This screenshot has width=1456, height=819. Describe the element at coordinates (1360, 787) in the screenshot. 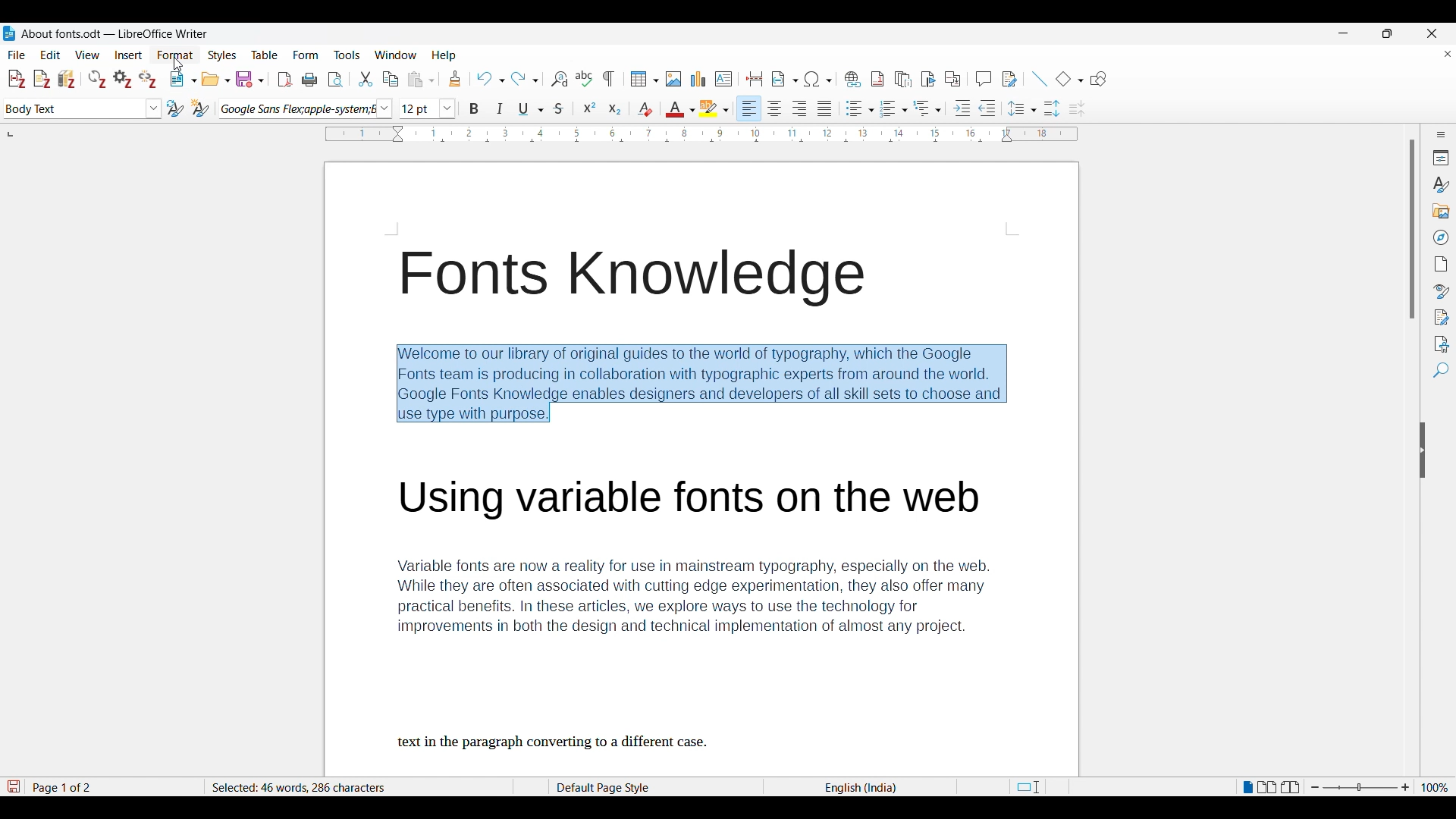

I see `Zoom slider` at that location.